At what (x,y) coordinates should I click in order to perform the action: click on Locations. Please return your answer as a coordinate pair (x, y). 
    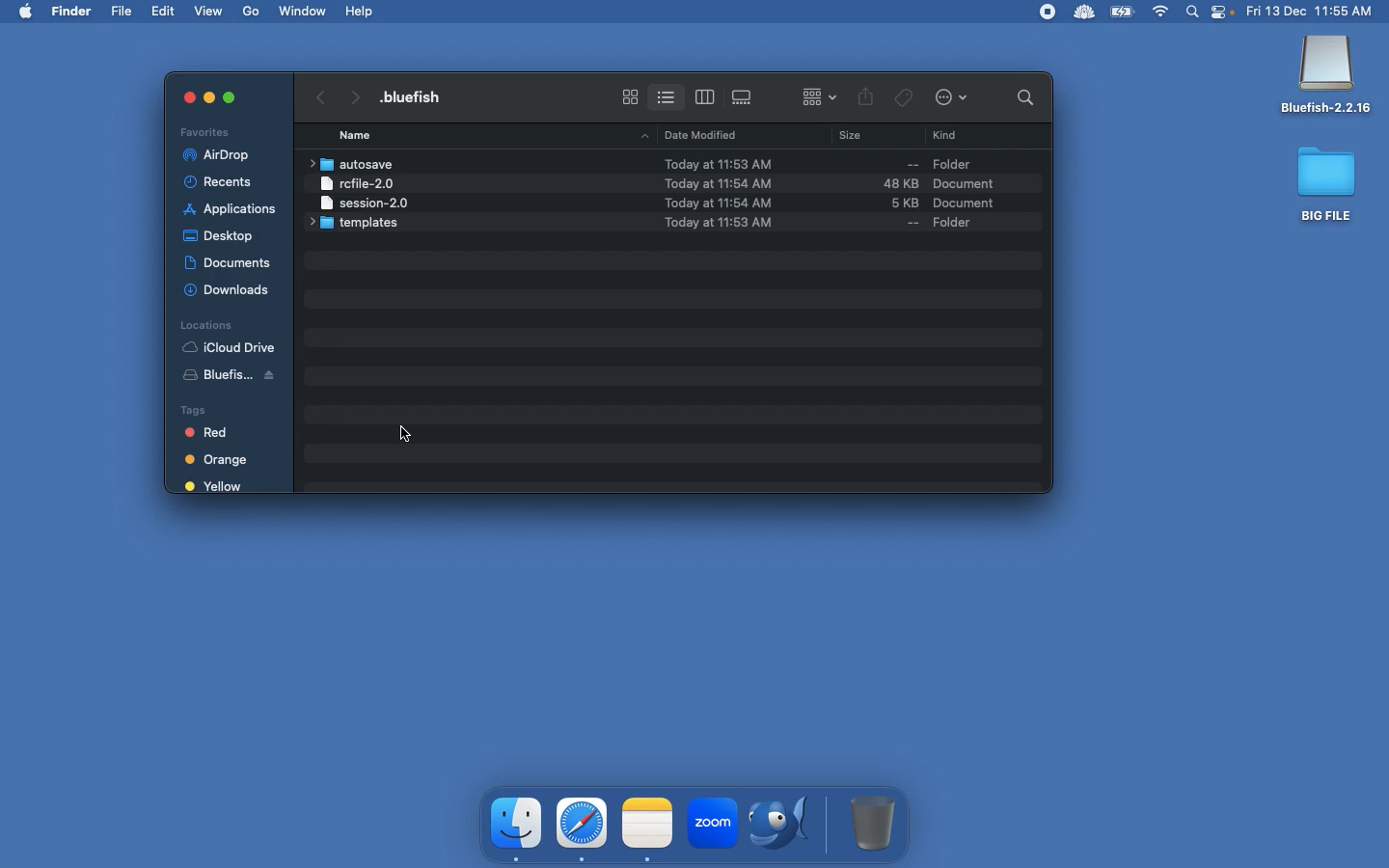
    Looking at the image, I should click on (205, 324).